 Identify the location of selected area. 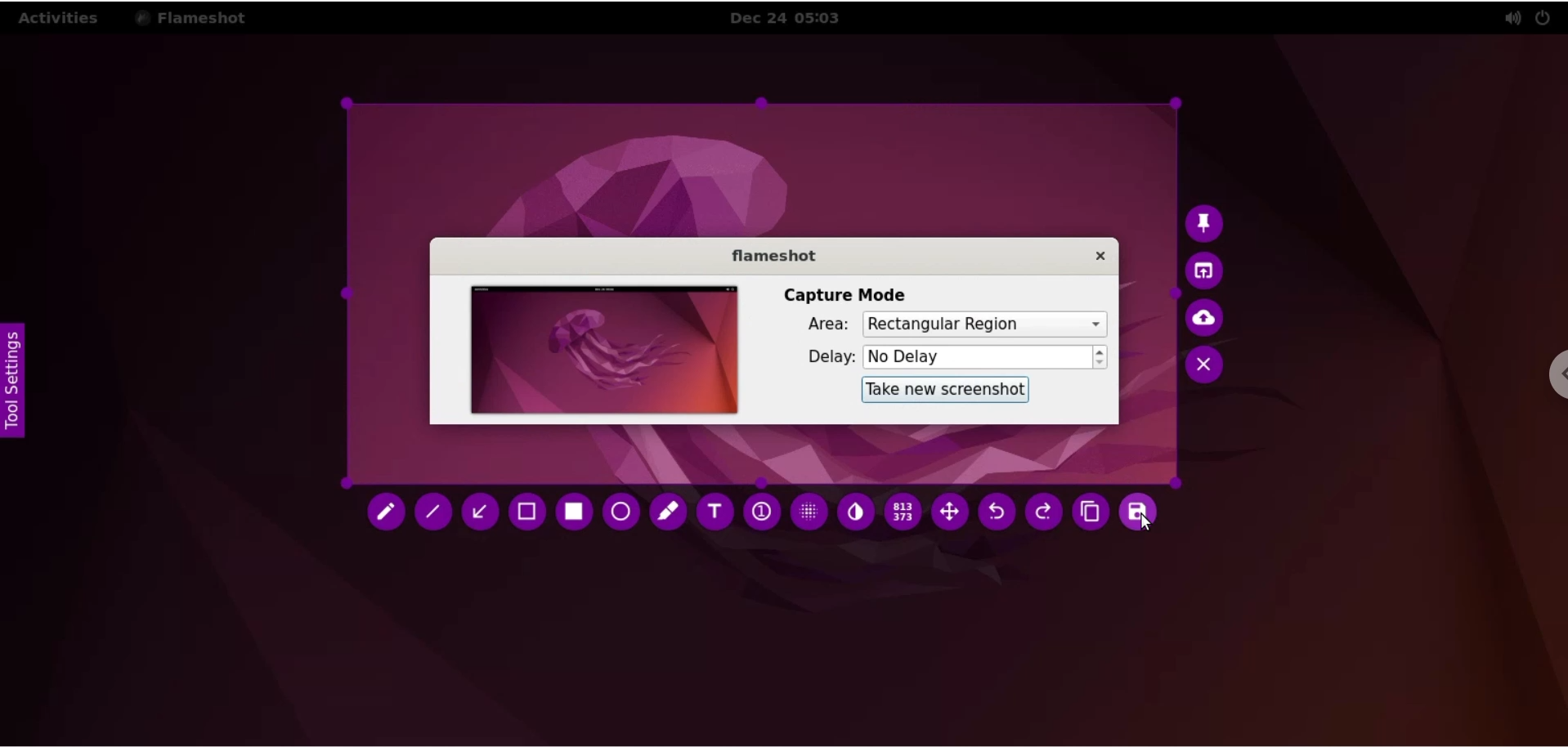
(761, 295).